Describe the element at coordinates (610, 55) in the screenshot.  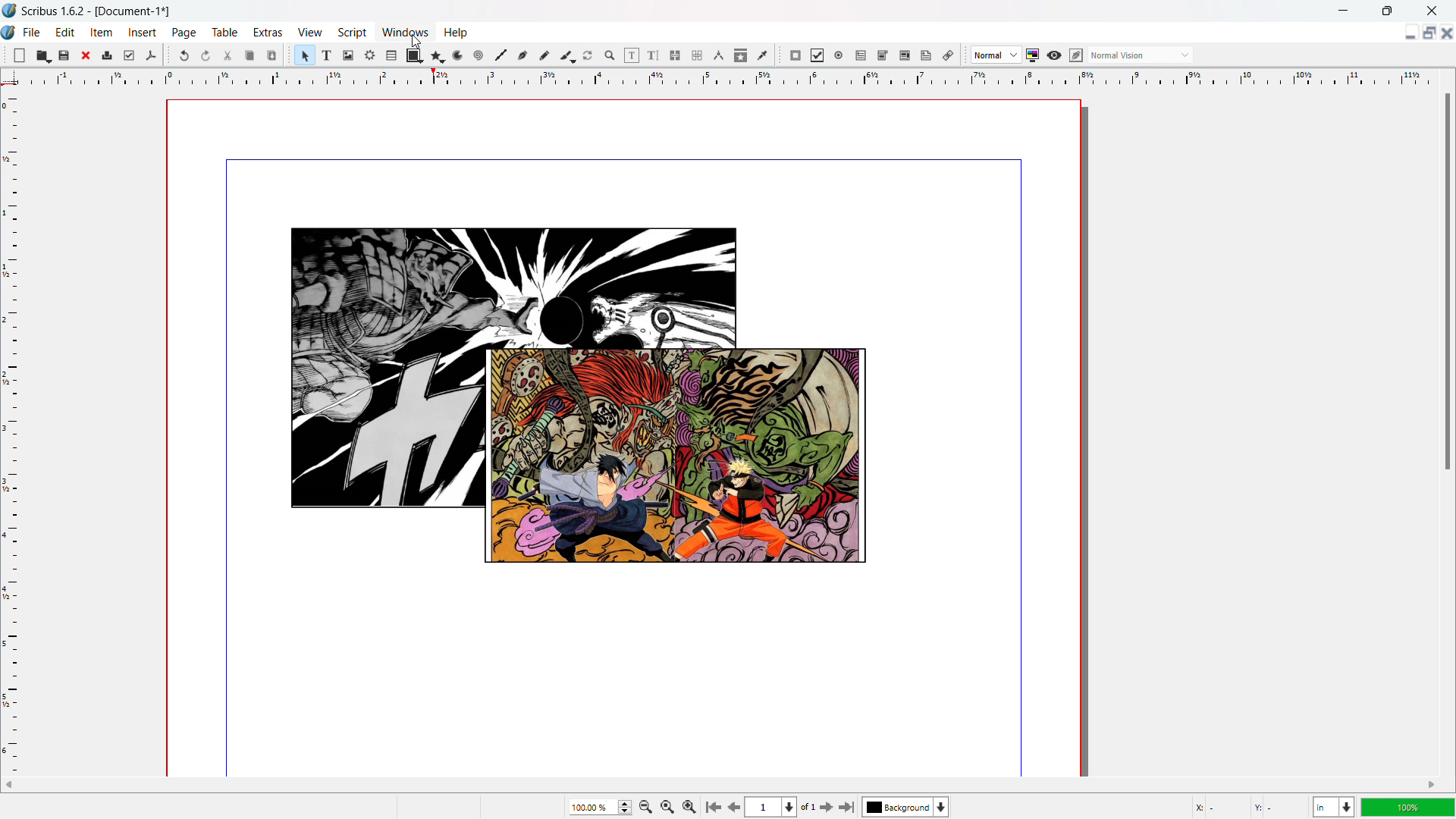
I see `zoom in or out` at that location.